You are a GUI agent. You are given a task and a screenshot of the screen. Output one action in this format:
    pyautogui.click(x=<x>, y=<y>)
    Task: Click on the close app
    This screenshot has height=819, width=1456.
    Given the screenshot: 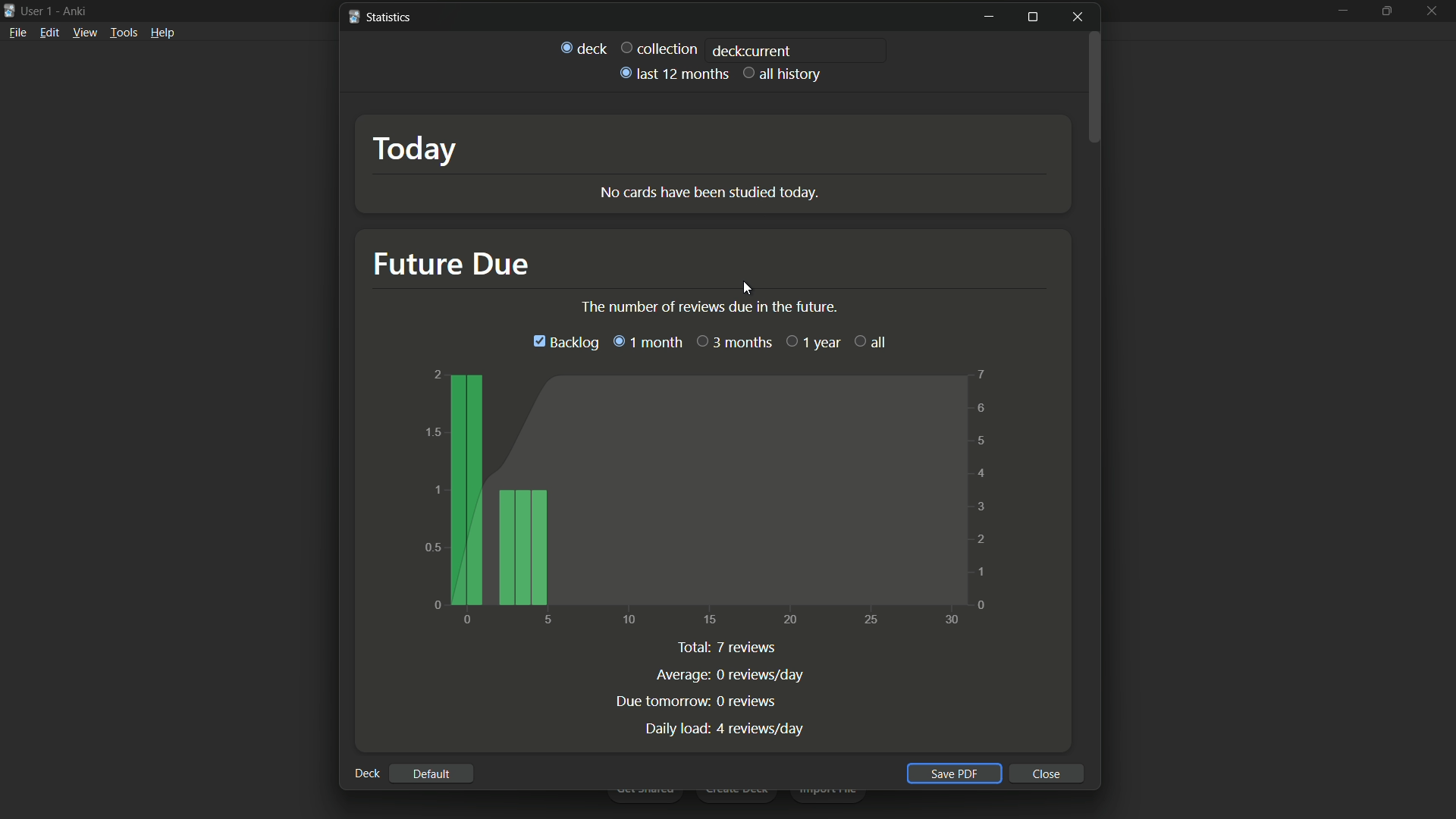 What is the action you would take?
    pyautogui.click(x=1433, y=11)
    